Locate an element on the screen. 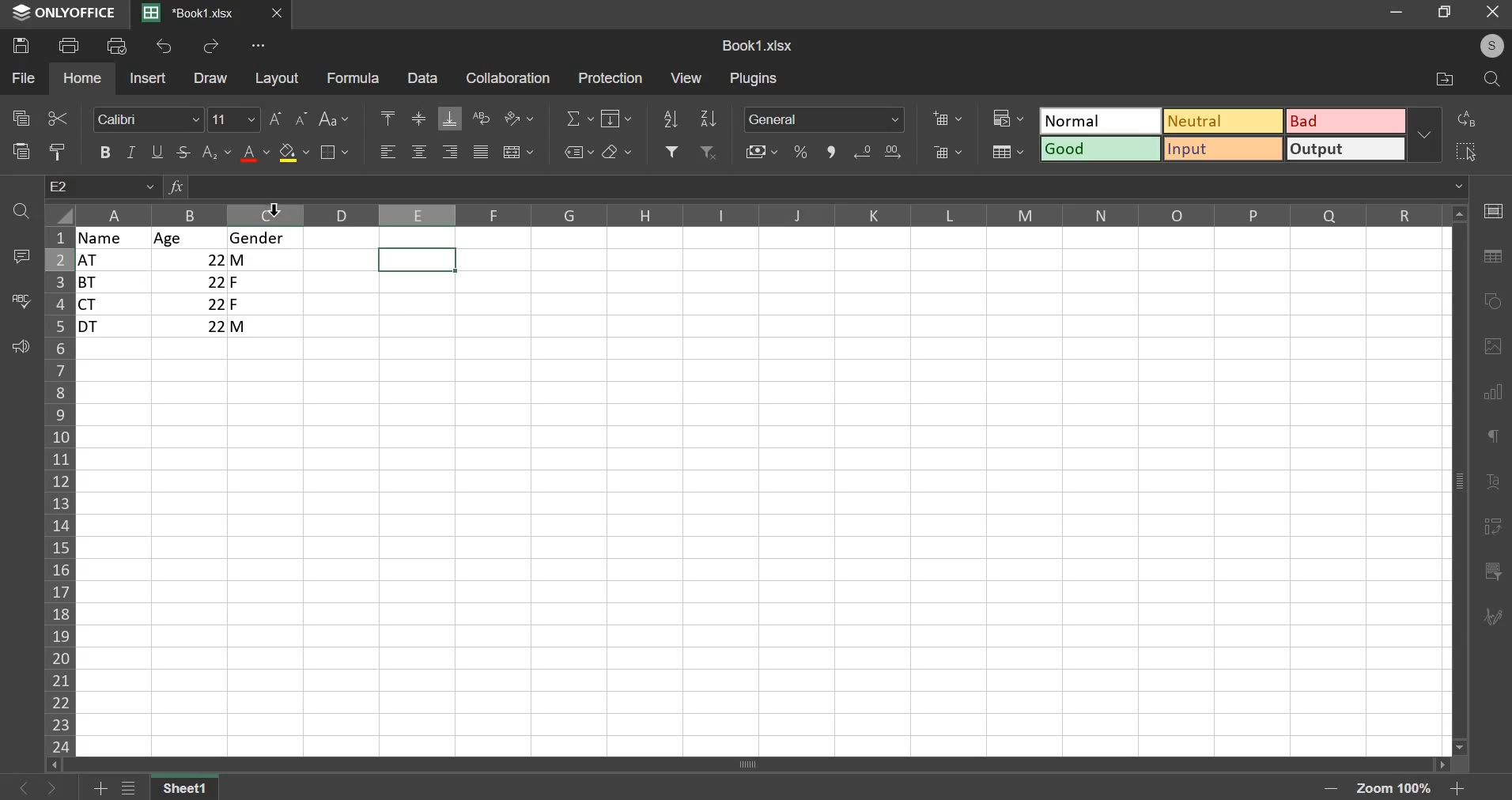 The height and width of the screenshot is (800, 1512). text wrapping is located at coordinates (481, 117).